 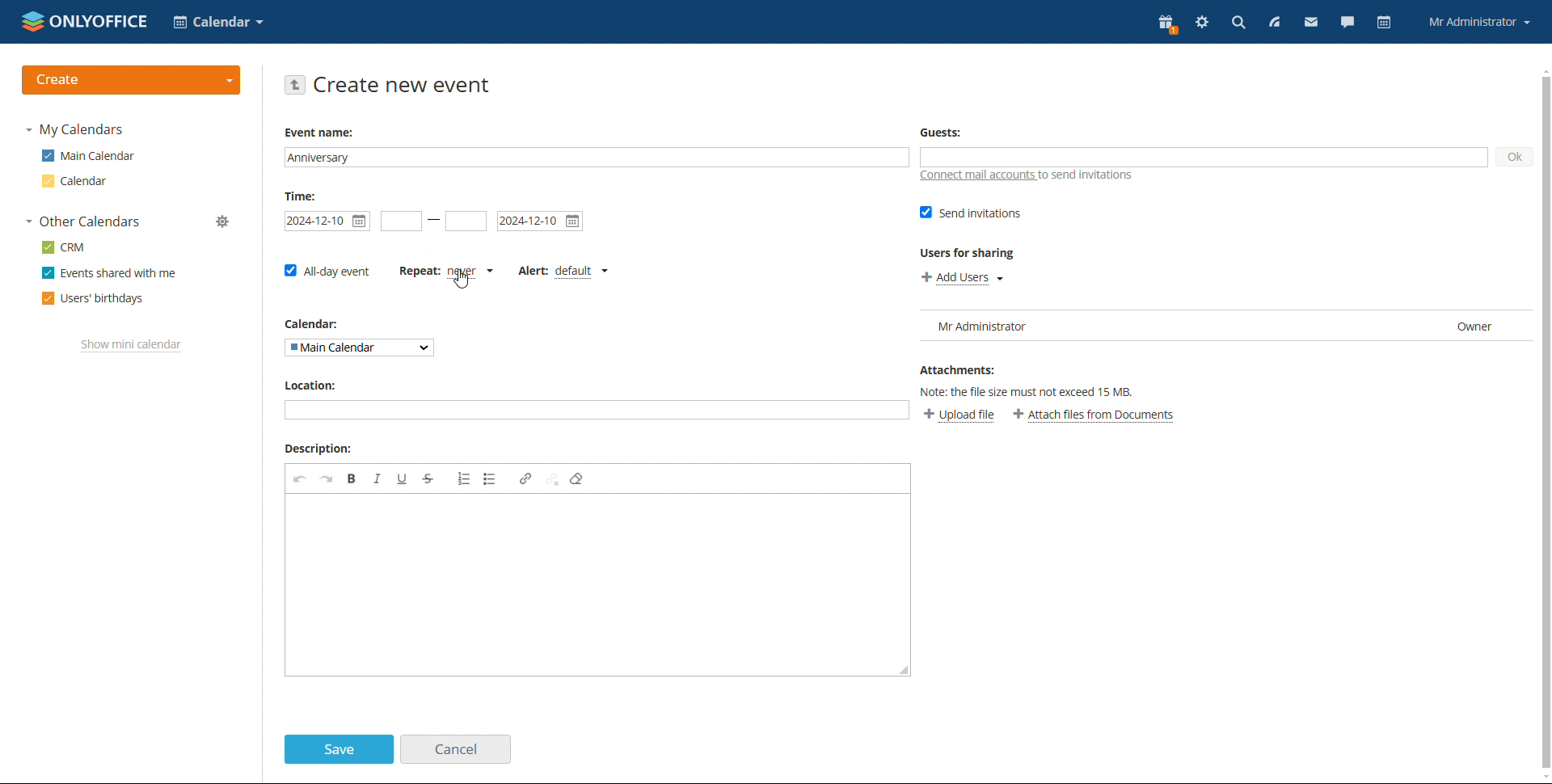 What do you see at coordinates (82, 131) in the screenshot?
I see `my calendar` at bounding box center [82, 131].